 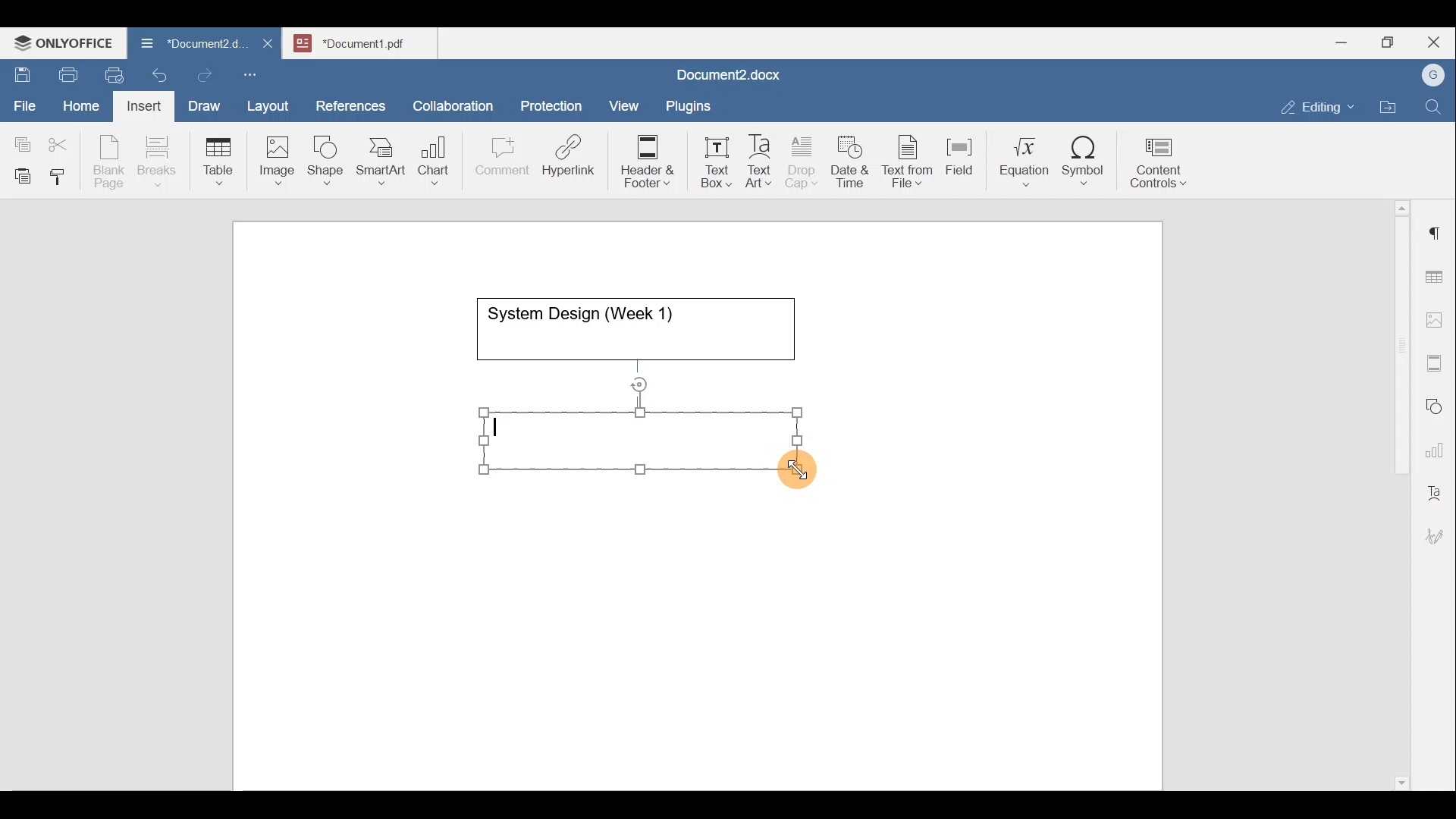 I want to click on View, so click(x=625, y=101).